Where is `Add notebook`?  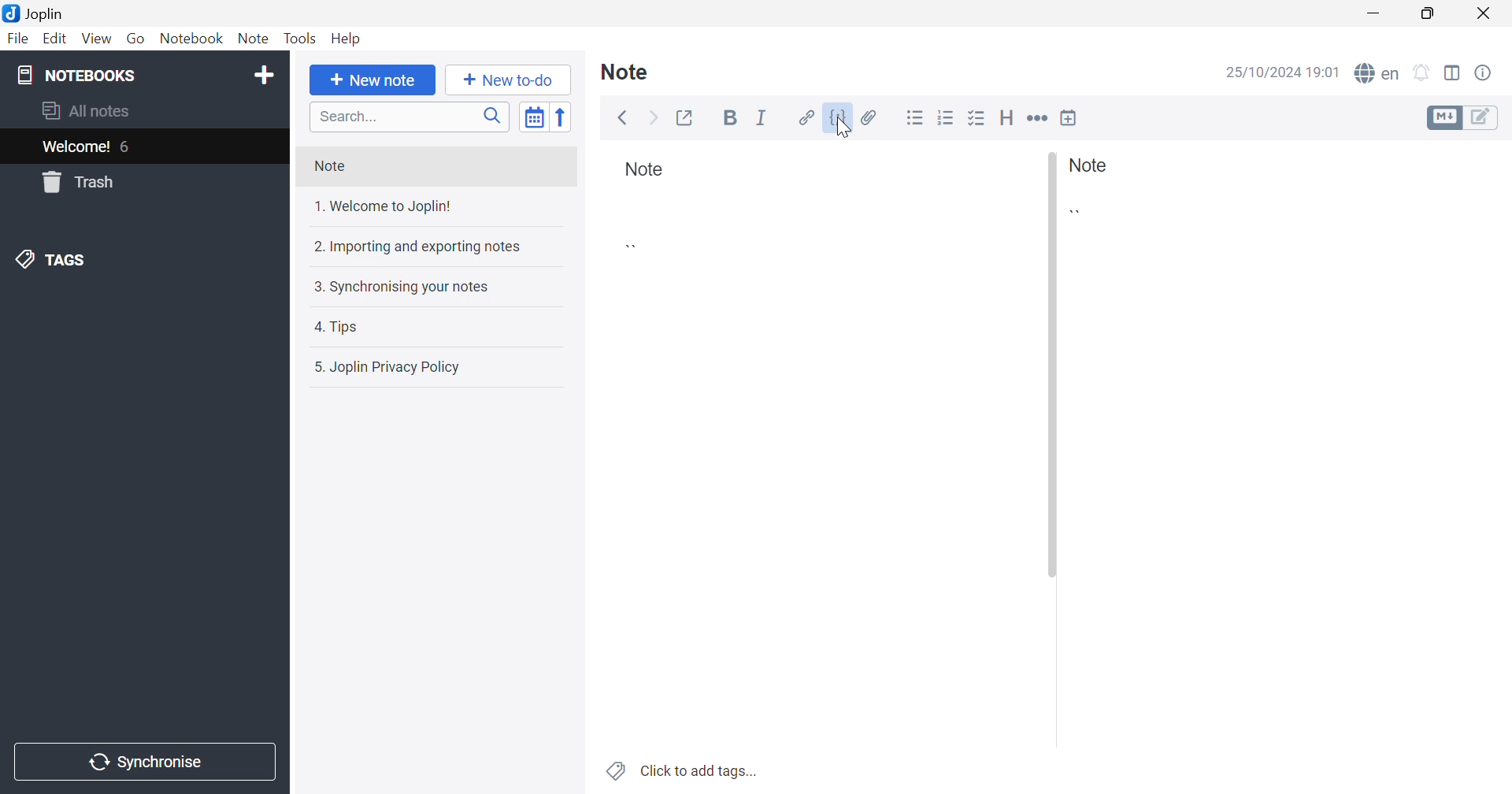 Add notebook is located at coordinates (266, 77).